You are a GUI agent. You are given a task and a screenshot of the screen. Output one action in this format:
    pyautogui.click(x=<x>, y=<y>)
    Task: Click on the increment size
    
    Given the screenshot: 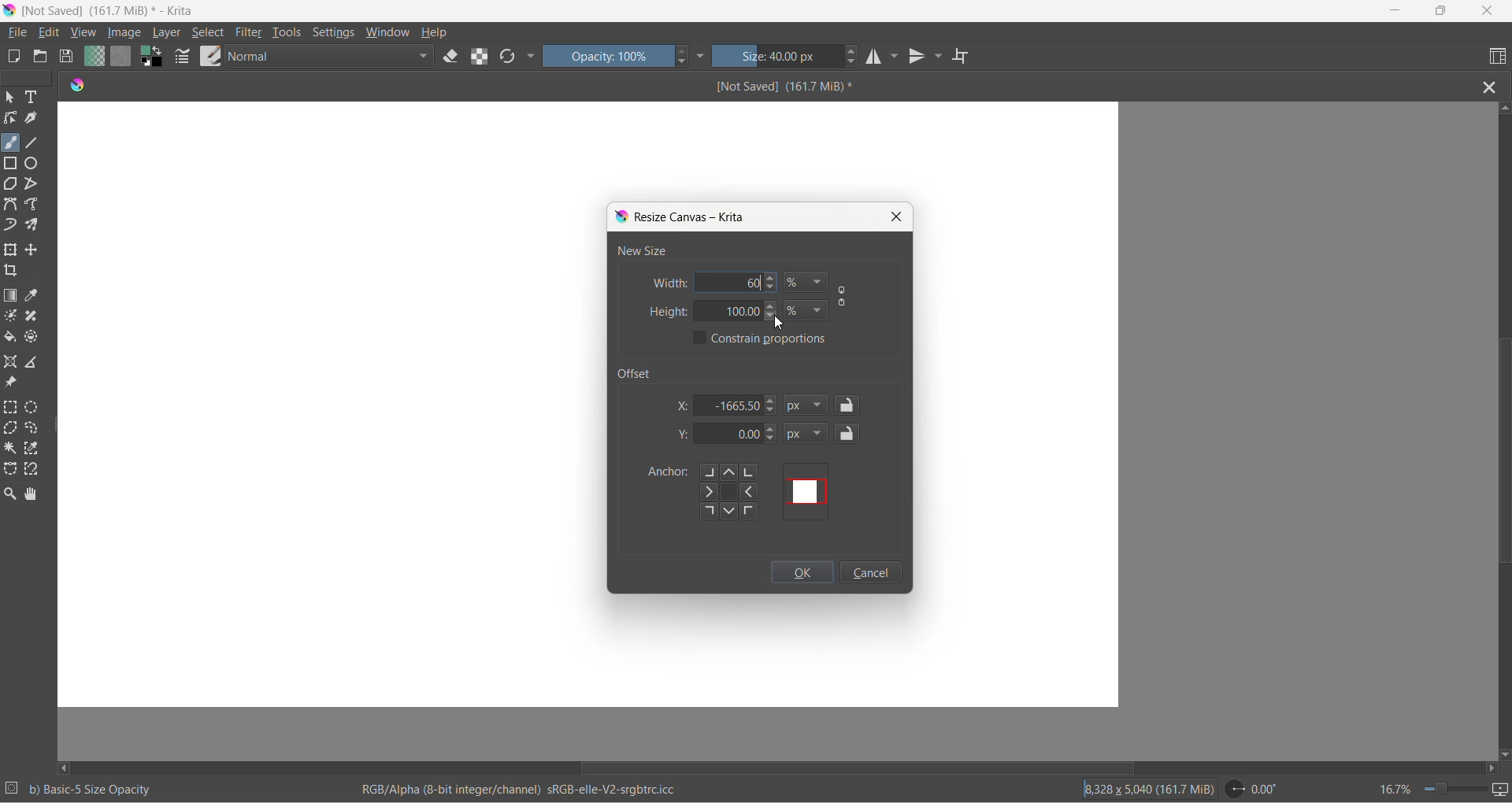 What is the action you would take?
    pyautogui.click(x=853, y=50)
    